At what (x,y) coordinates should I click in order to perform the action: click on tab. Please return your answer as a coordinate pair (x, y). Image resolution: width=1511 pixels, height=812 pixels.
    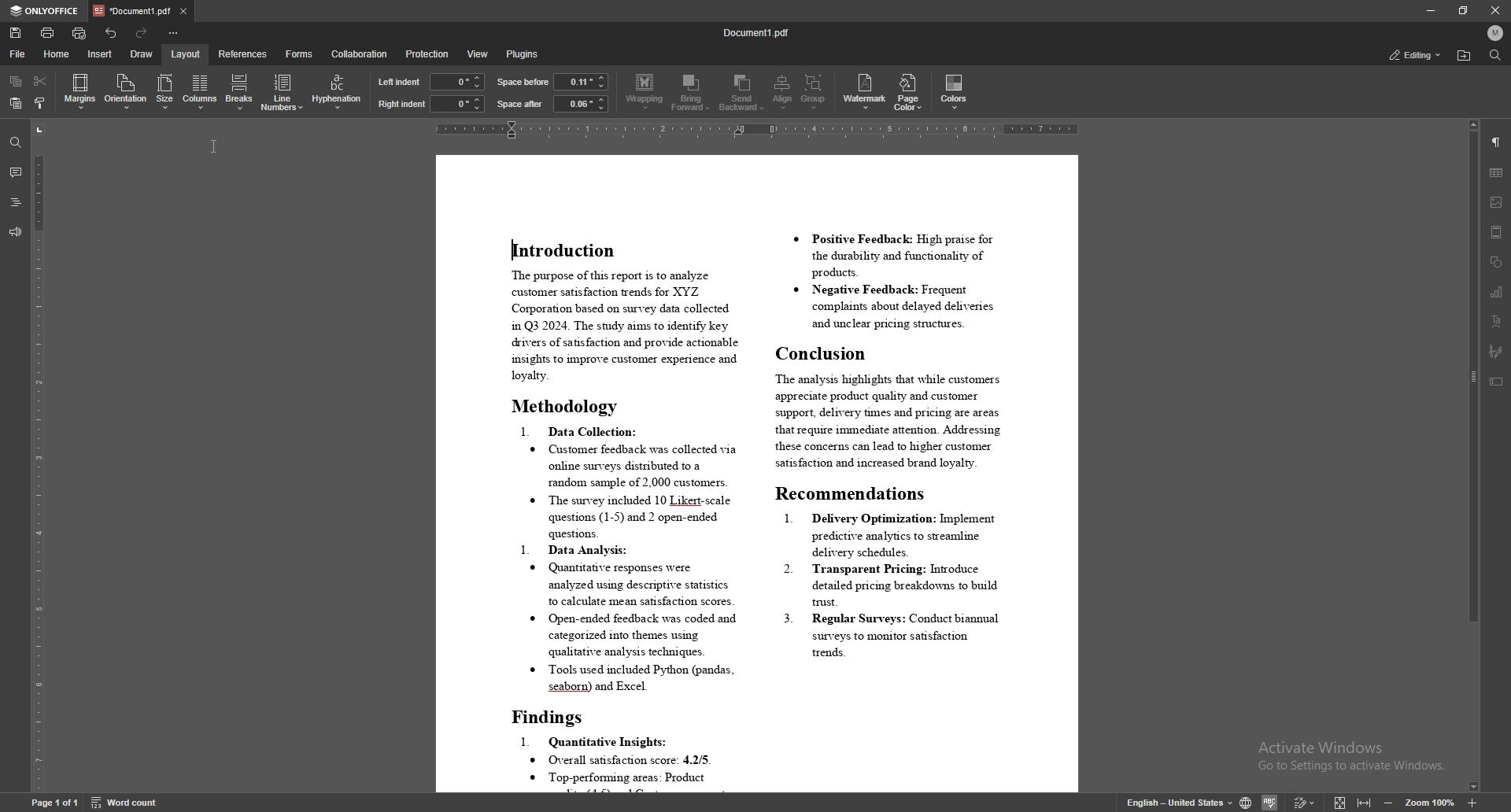
    Looking at the image, I should click on (131, 11).